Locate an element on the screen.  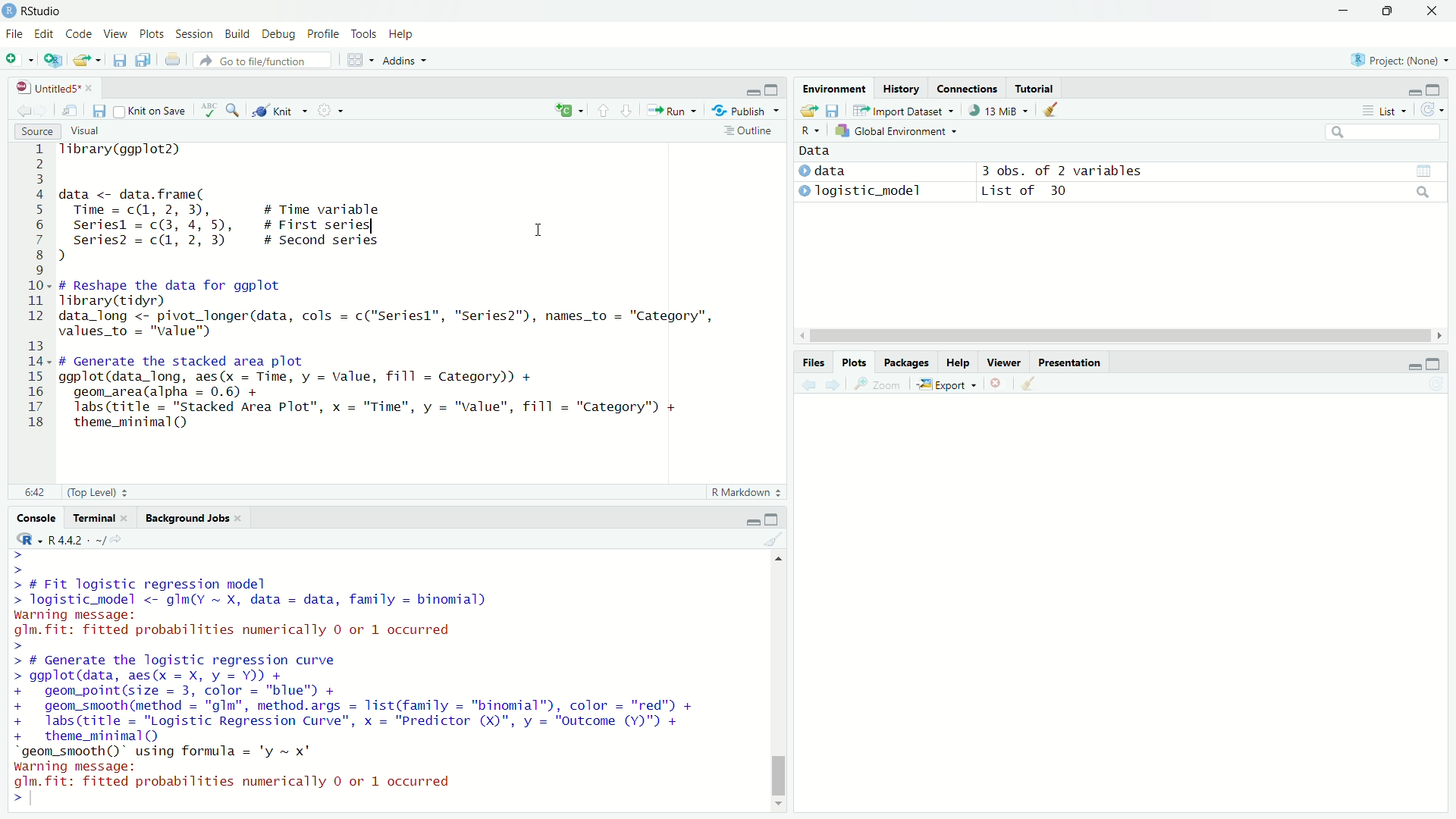
minimise is located at coordinates (1409, 365).